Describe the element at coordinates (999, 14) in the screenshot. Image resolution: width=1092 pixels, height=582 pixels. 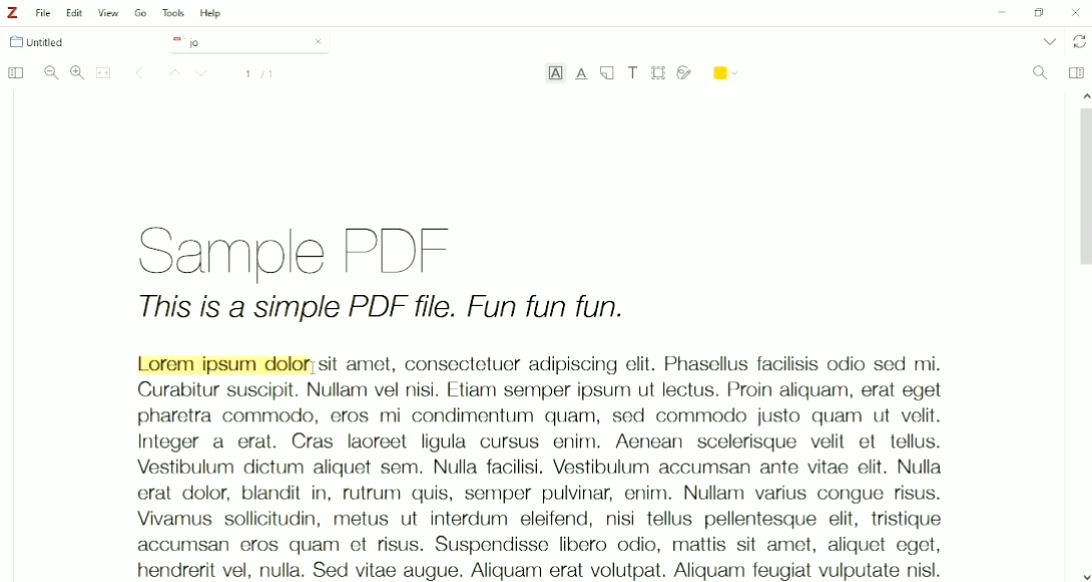
I see `Minimize` at that location.